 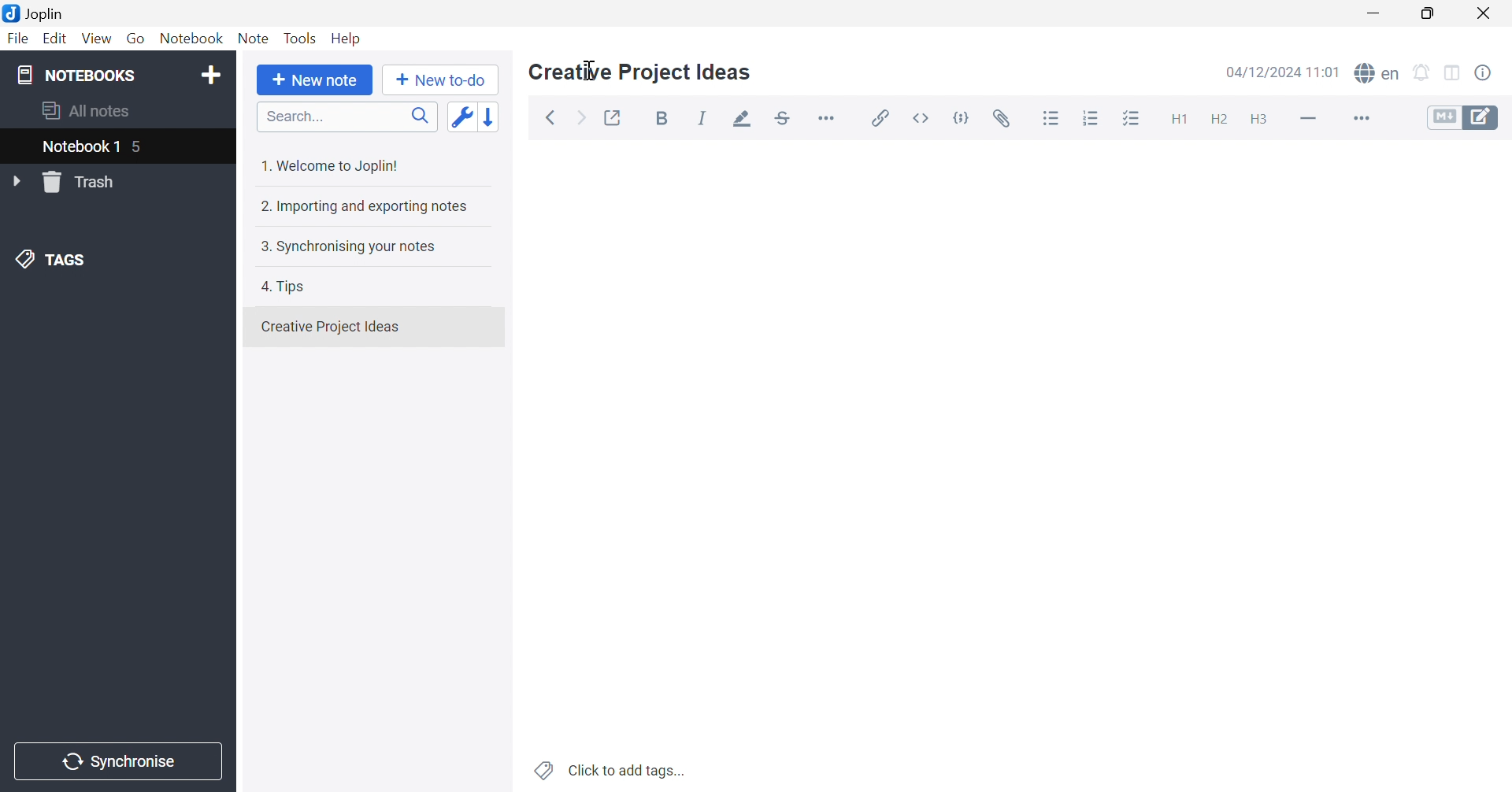 What do you see at coordinates (639, 72) in the screenshot?
I see `Creative Project Ideas` at bounding box center [639, 72].